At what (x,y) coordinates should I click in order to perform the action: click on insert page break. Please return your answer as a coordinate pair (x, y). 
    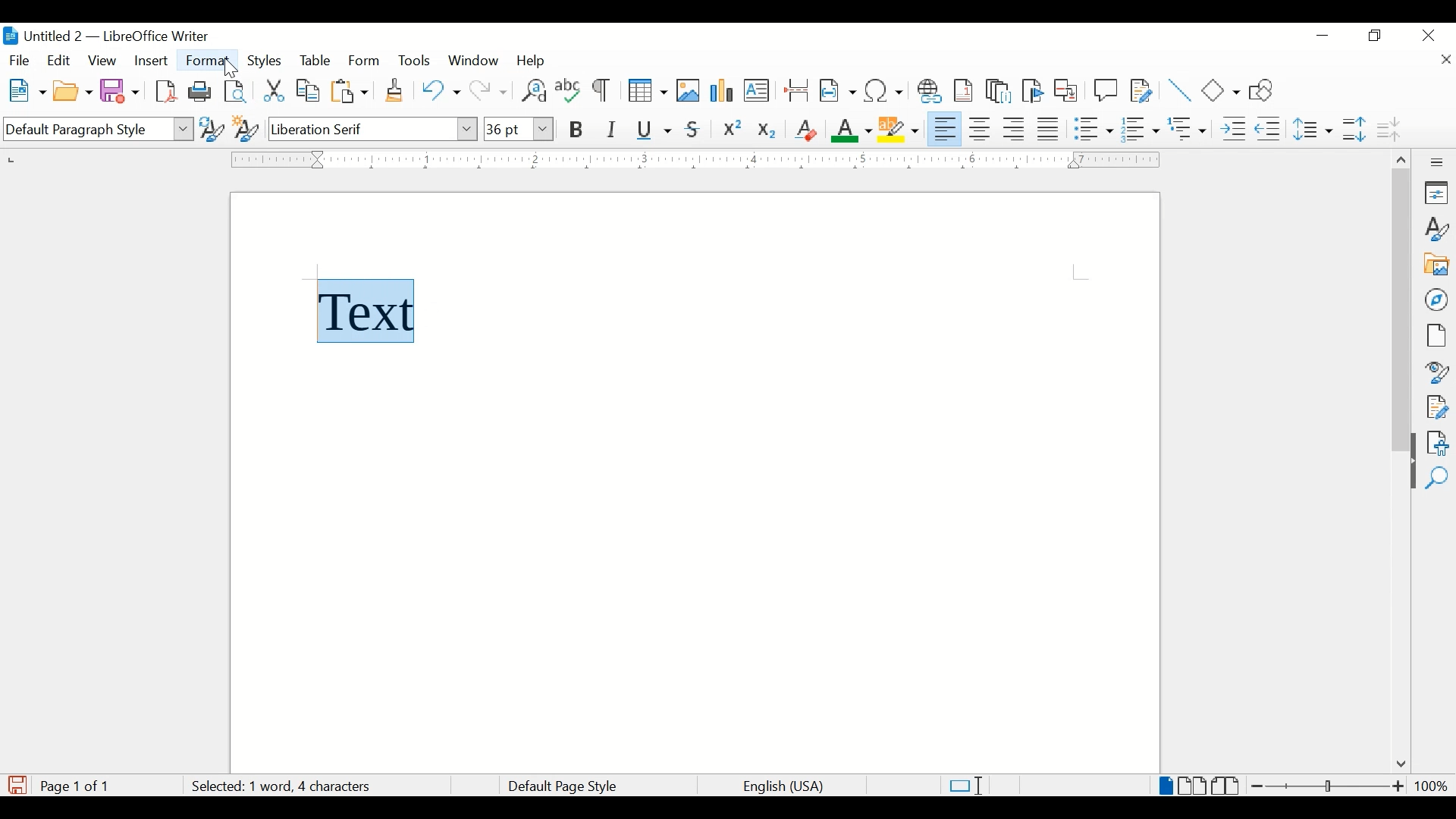
    Looking at the image, I should click on (796, 89).